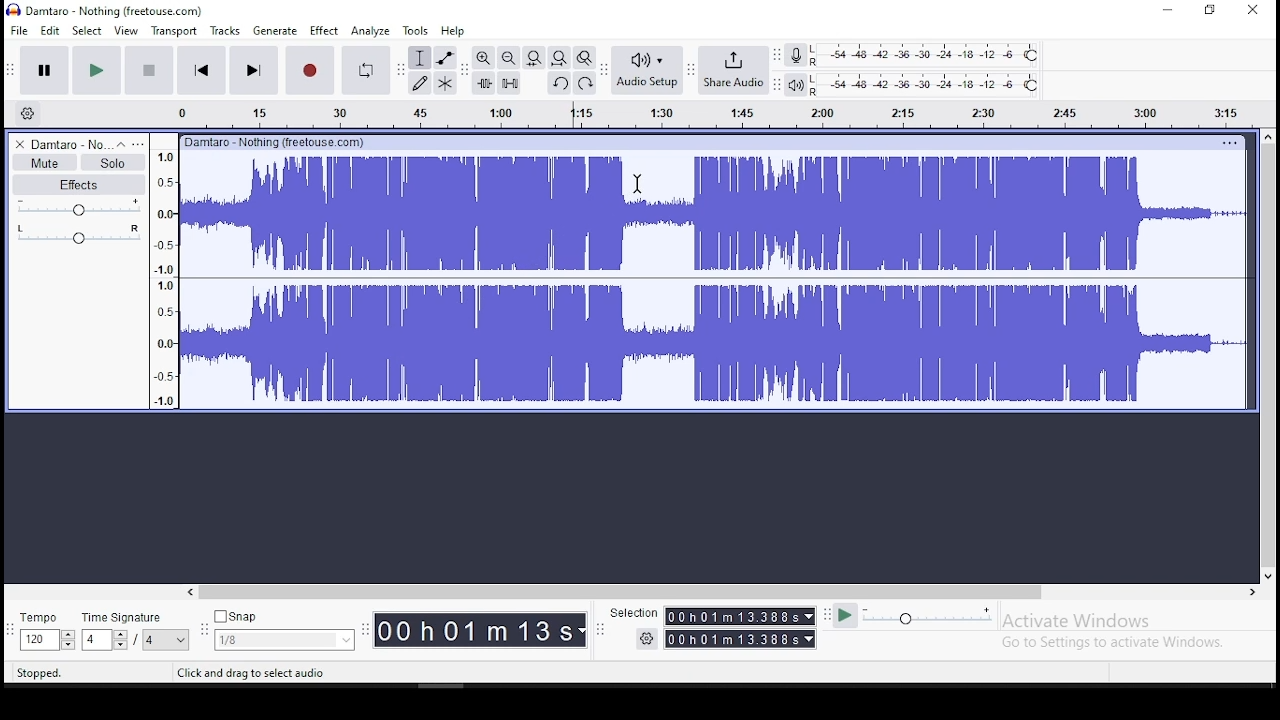 Image resolution: width=1280 pixels, height=720 pixels. I want to click on options, so click(1227, 142).